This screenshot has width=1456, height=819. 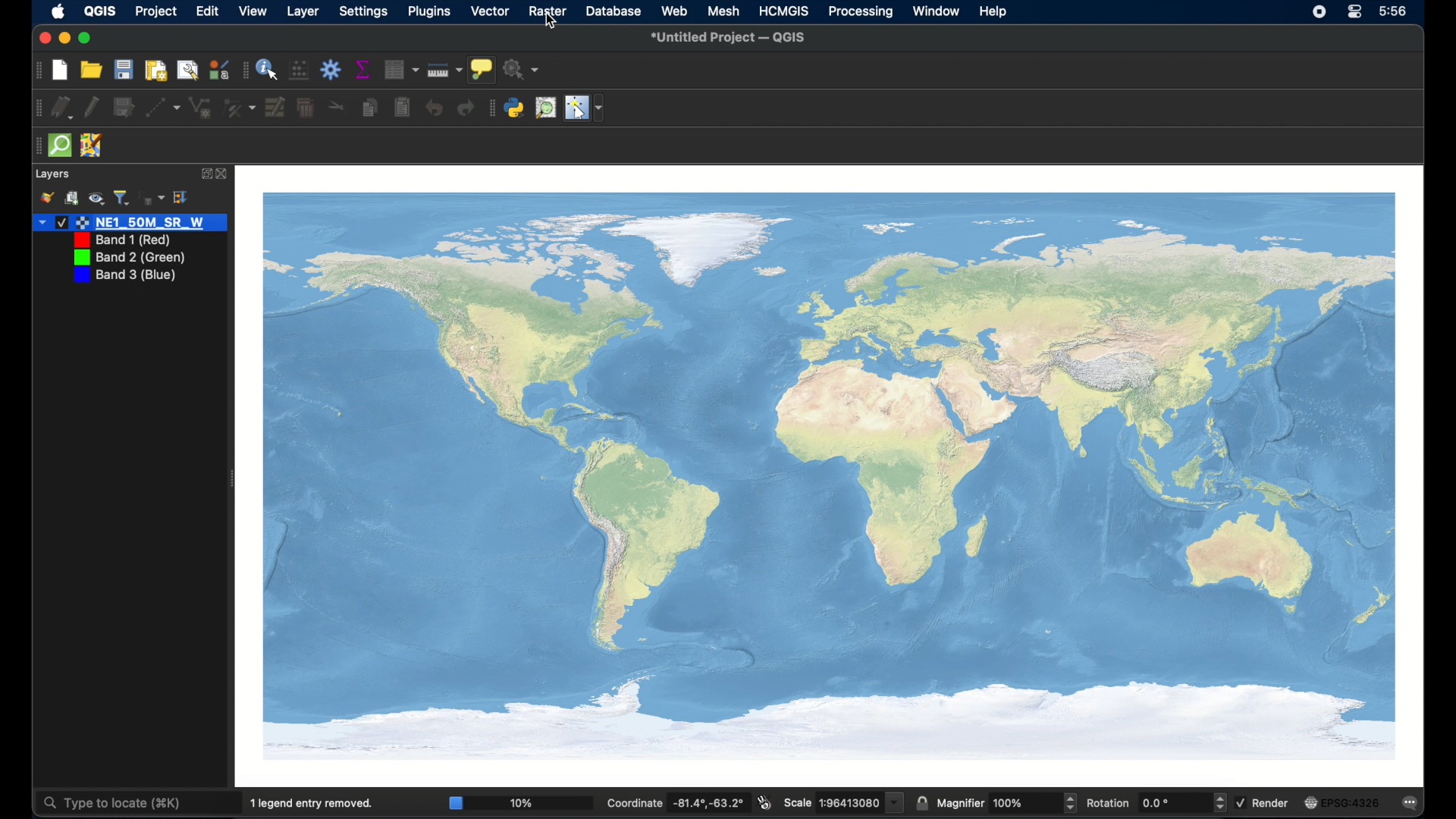 What do you see at coordinates (830, 478) in the screenshot?
I see `raster world map` at bounding box center [830, 478].